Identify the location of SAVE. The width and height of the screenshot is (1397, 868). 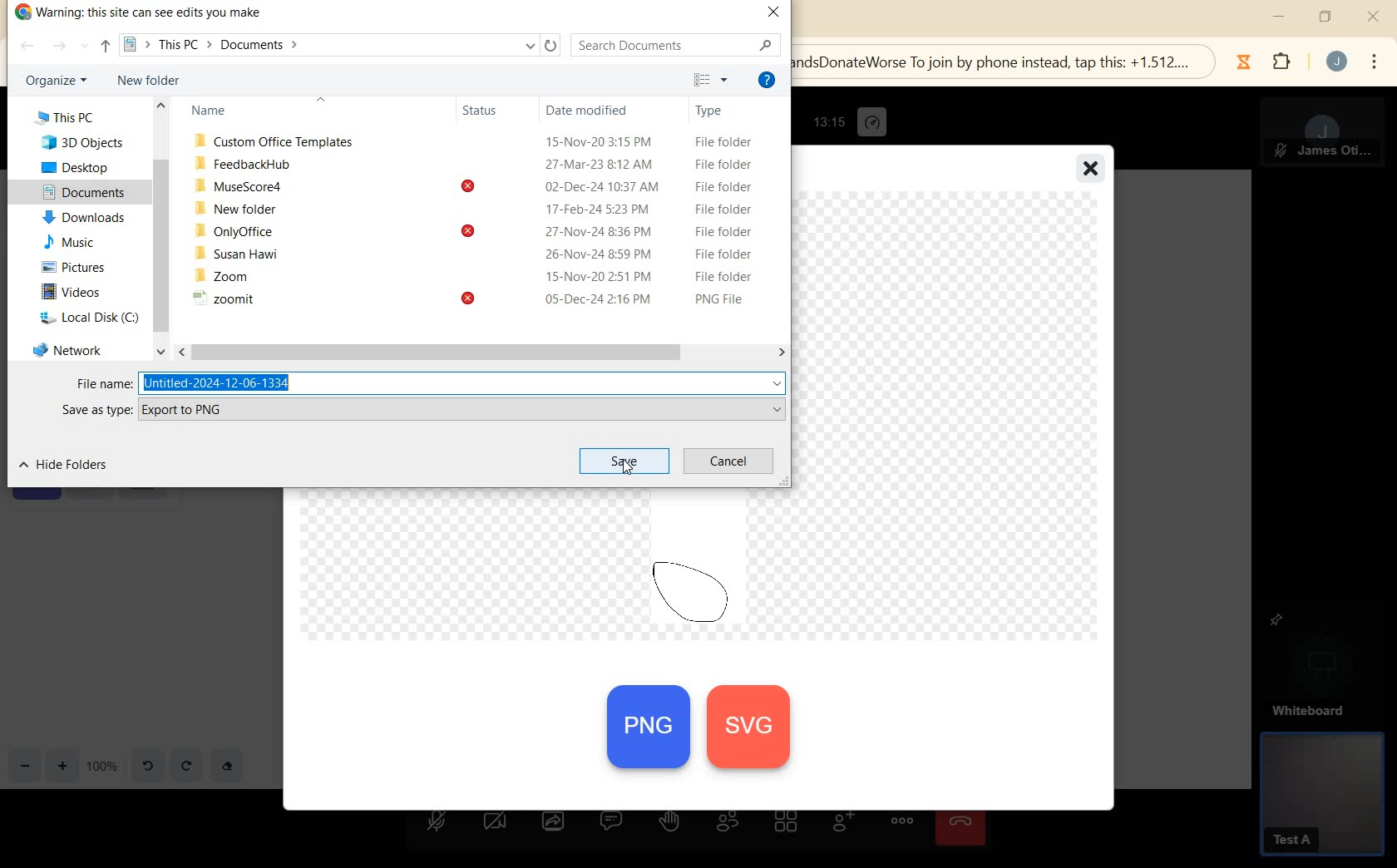
(623, 462).